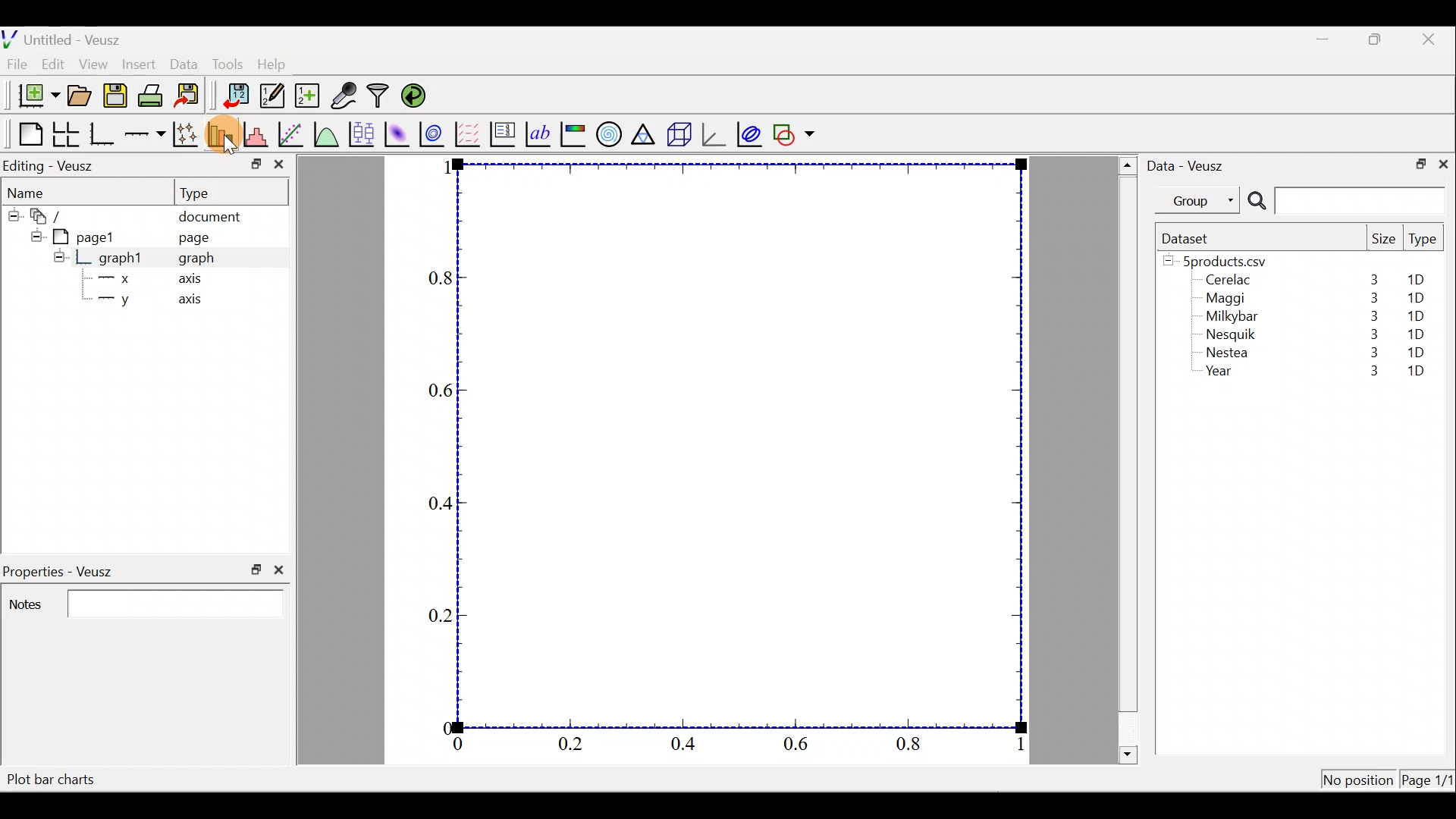  Describe the element at coordinates (1373, 279) in the screenshot. I see `3` at that location.